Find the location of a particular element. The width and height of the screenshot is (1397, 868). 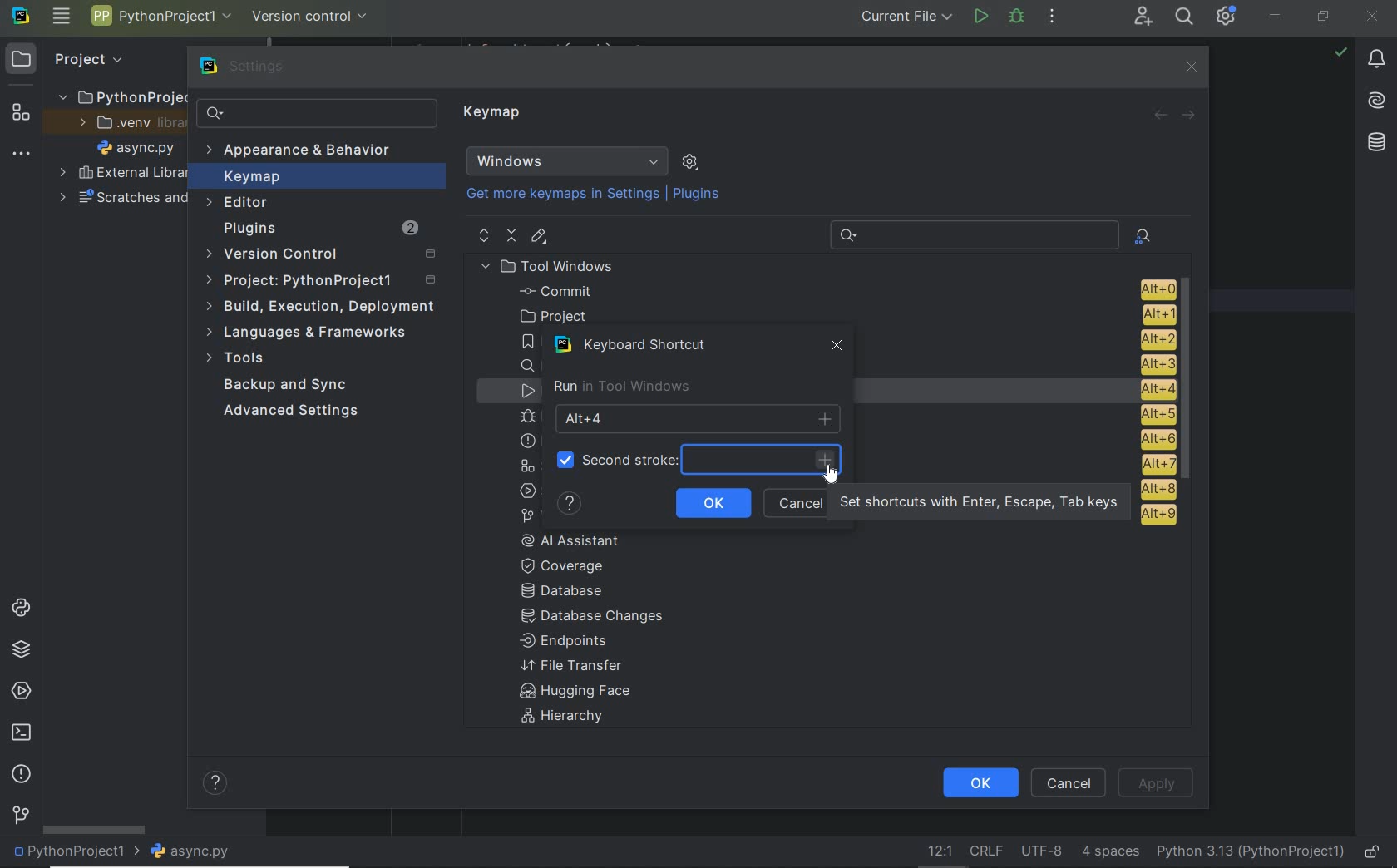

Editor is located at coordinates (239, 203).